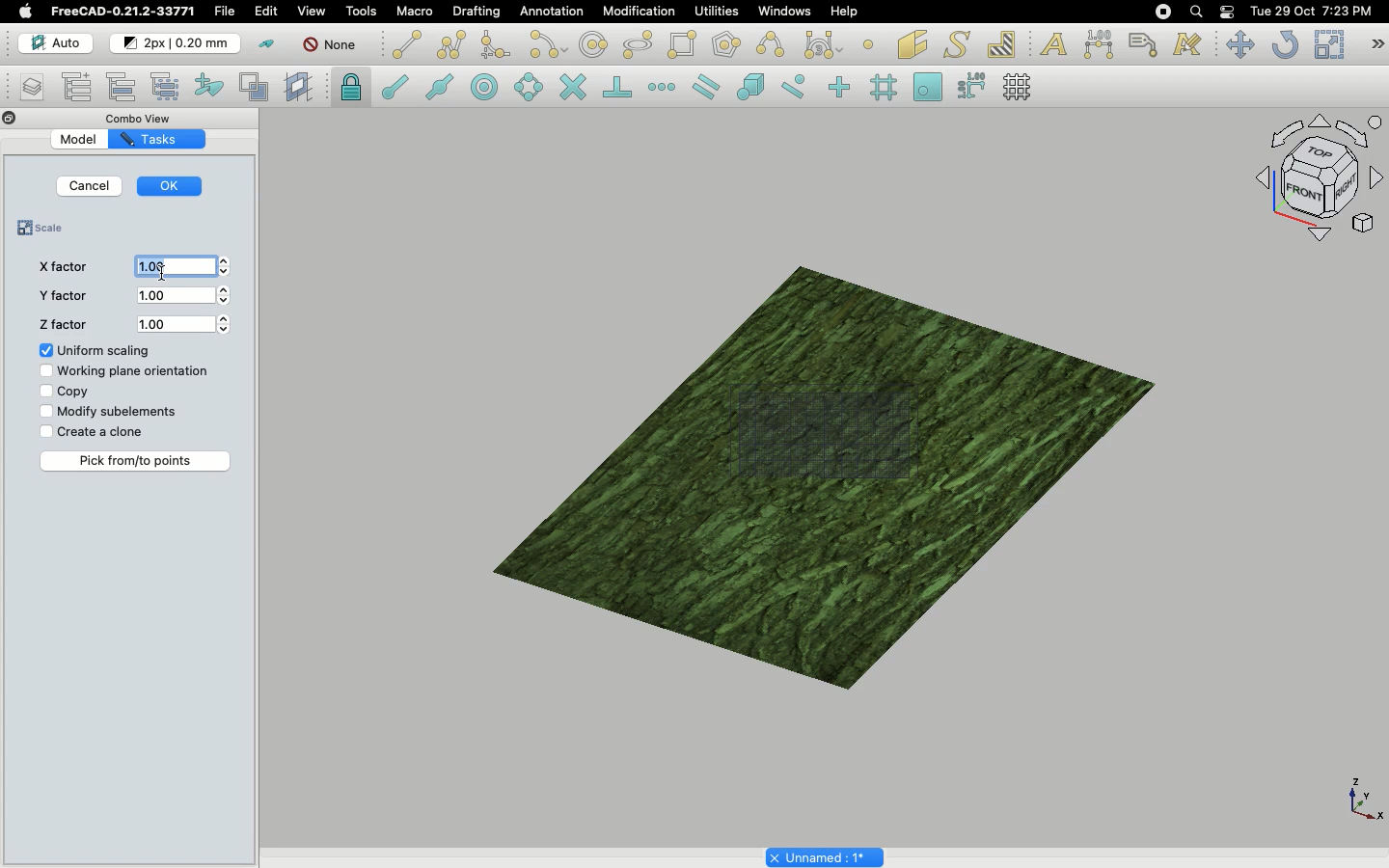  Describe the element at coordinates (62, 392) in the screenshot. I see `Copy` at that location.